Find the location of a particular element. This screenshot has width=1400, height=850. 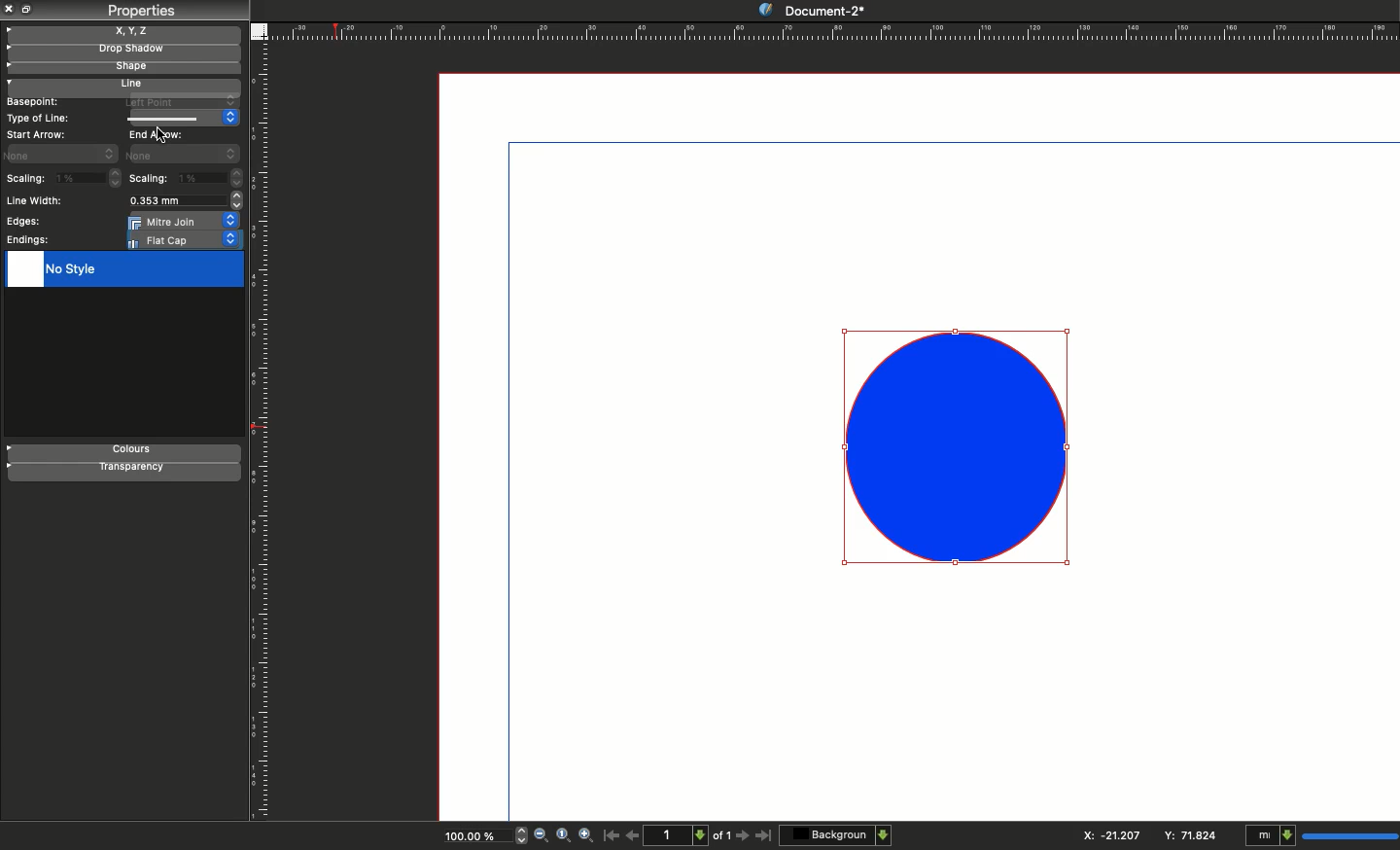

Line width is located at coordinates (39, 201).